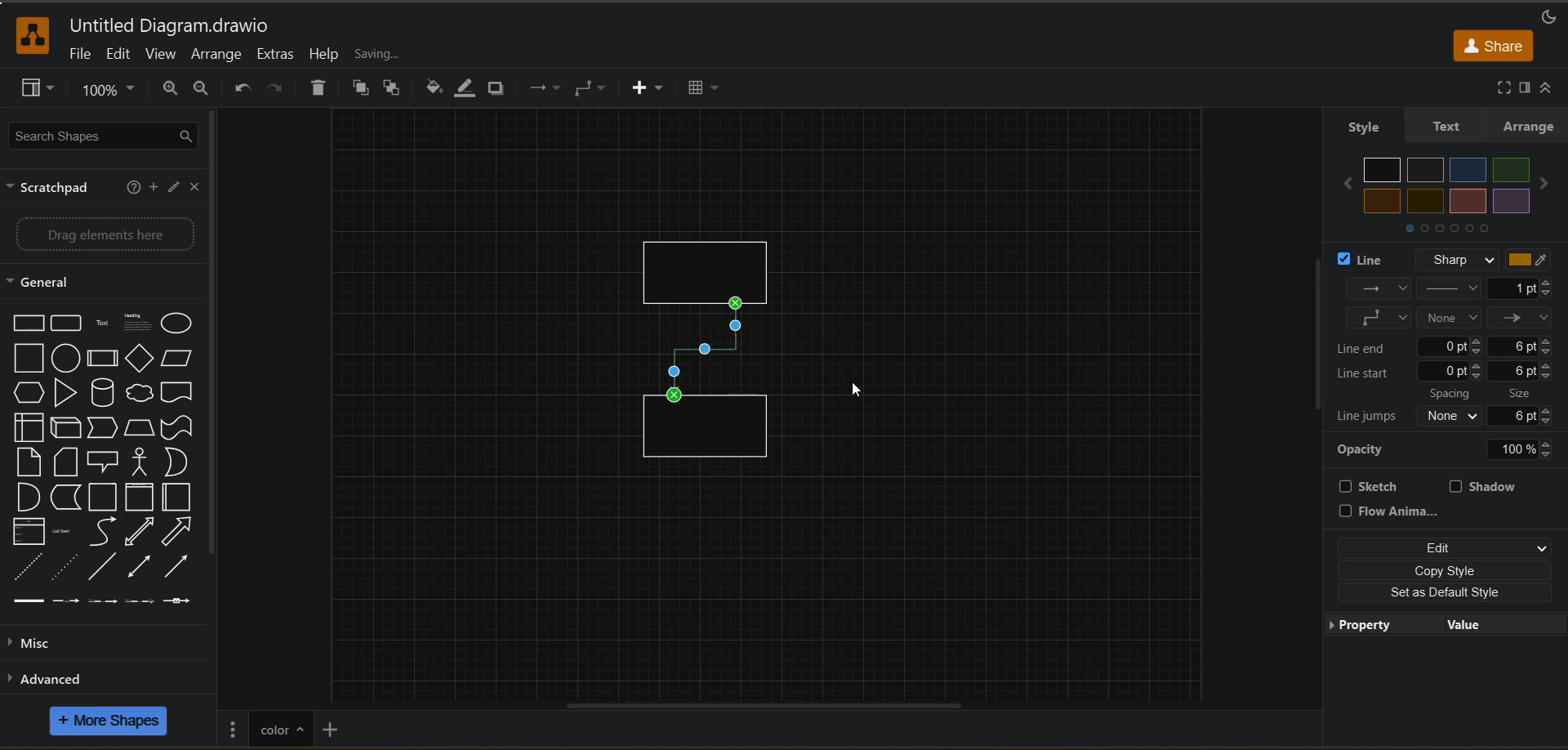  What do you see at coordinates (1523, 346) in the screenshot?
I see `6pt` at bounding box center [1523, 346].